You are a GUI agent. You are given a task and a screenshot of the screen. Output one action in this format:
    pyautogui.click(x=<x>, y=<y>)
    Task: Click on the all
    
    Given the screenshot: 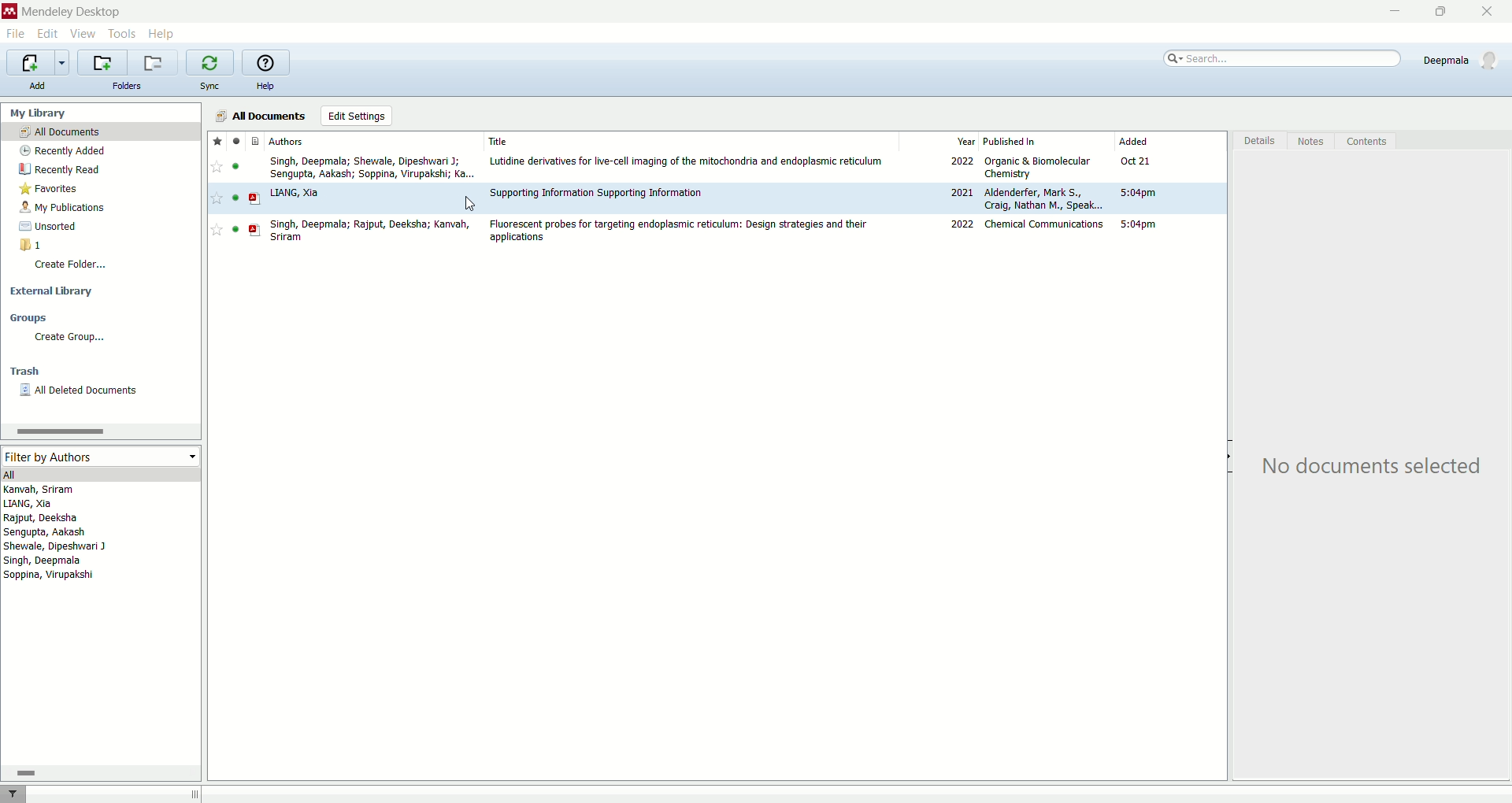 What is the action you would take?
    pyautogui.click(x=98, y=473)
    